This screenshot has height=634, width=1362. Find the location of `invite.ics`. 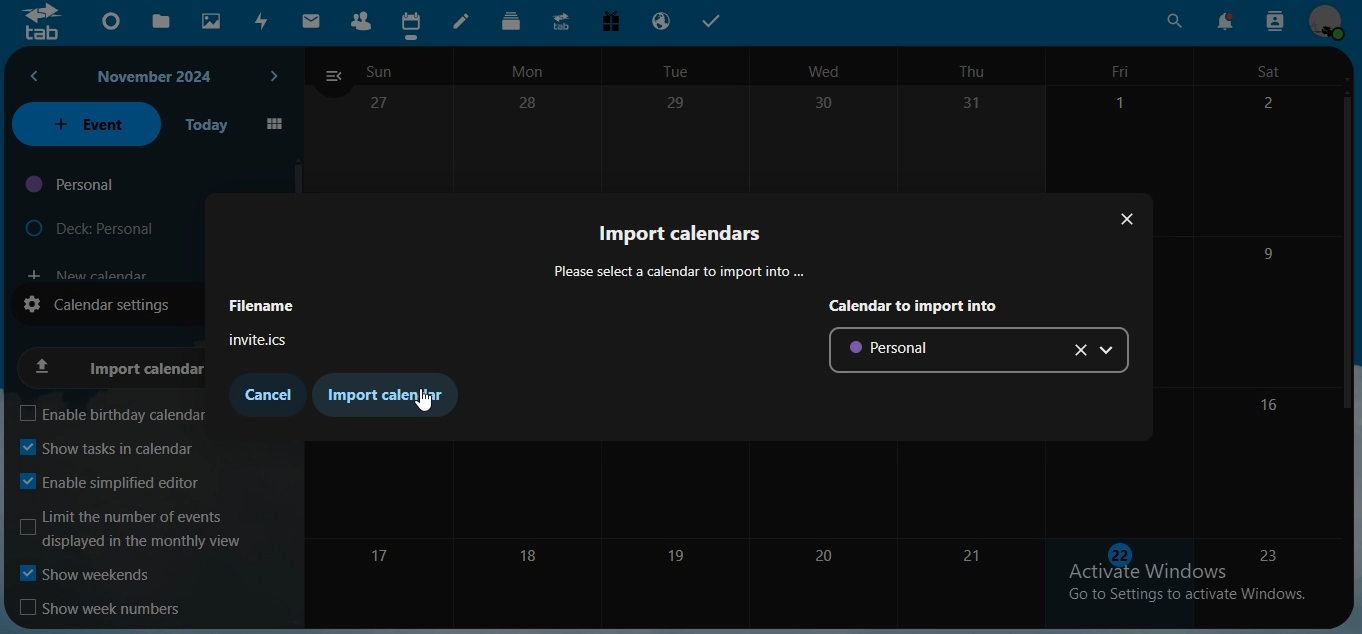

invite.ics is located at coordinates (261, 341).